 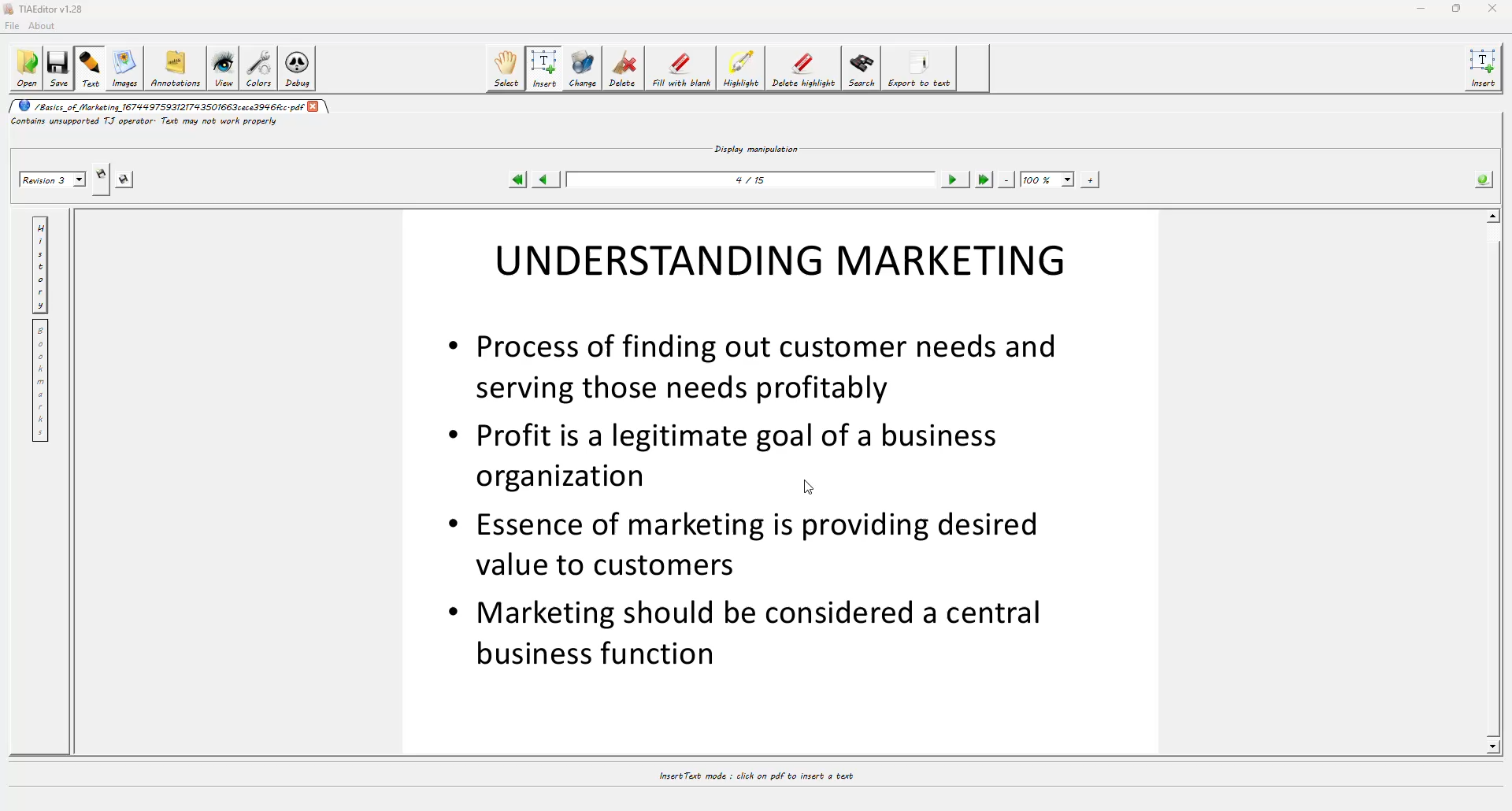 What do you see at coordinates (1089, 179) in the screenshot?
I see `zoom in` at bounding box center [1089, 179].